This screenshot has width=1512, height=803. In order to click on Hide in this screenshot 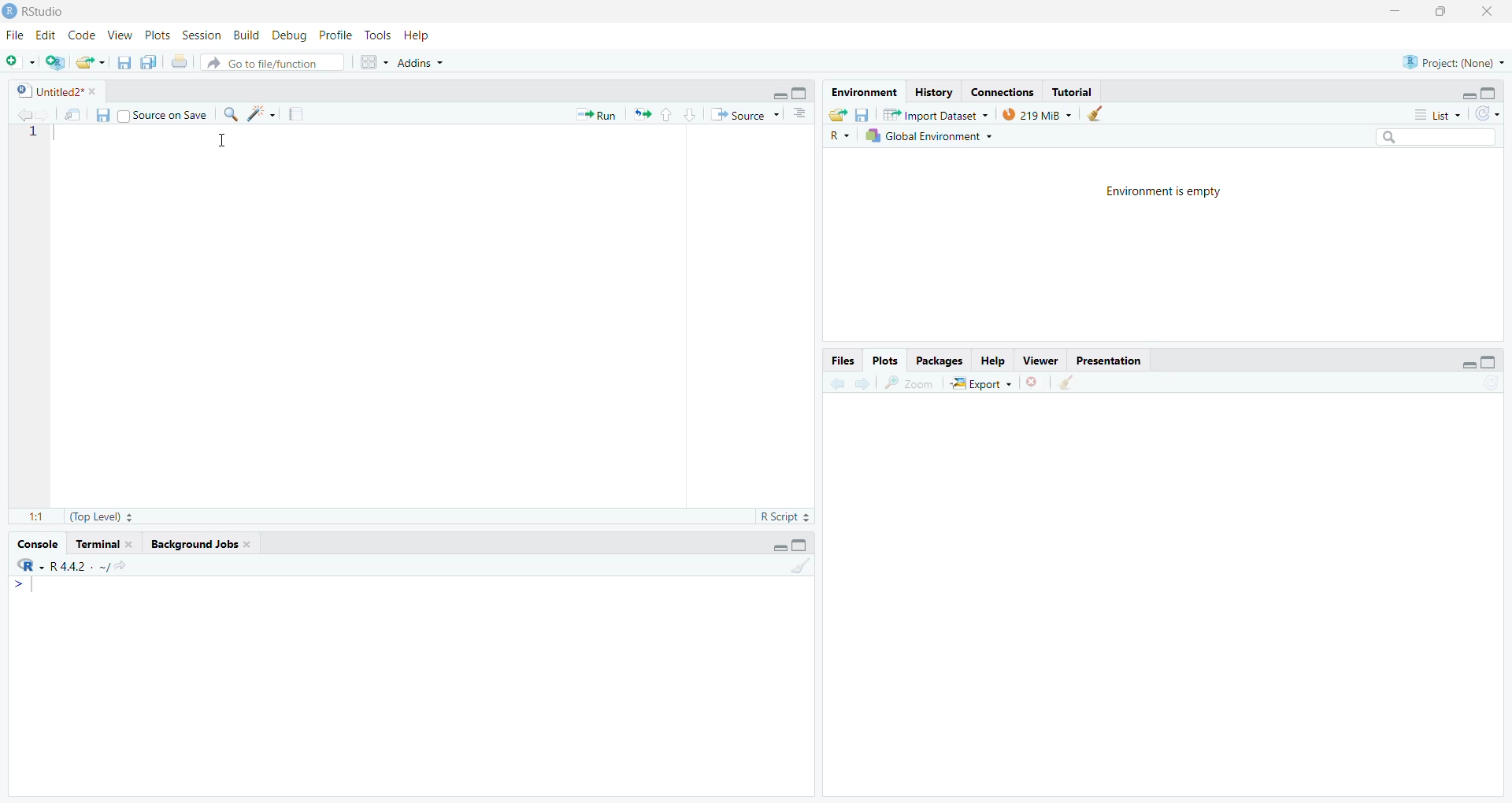, I will do `click(778, 93)`.